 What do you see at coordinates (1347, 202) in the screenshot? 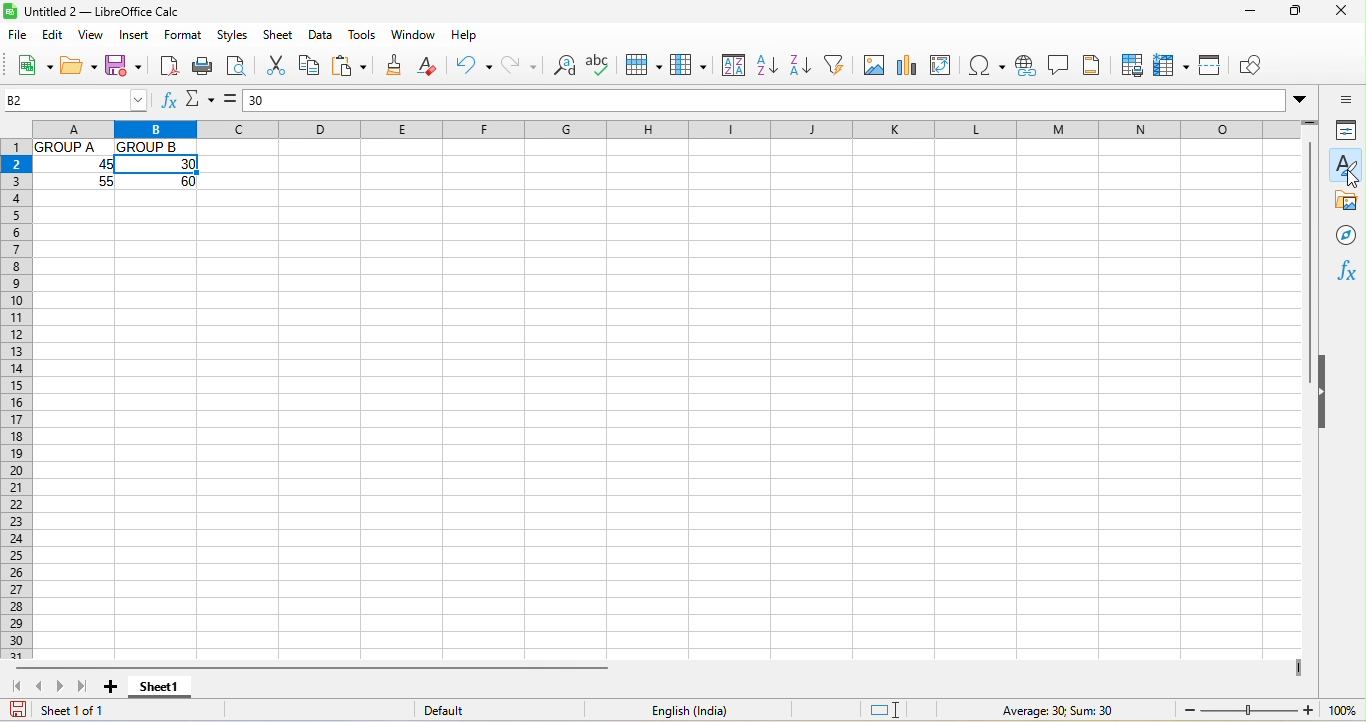
I see `gallary` at bounding box center [1347, 202].